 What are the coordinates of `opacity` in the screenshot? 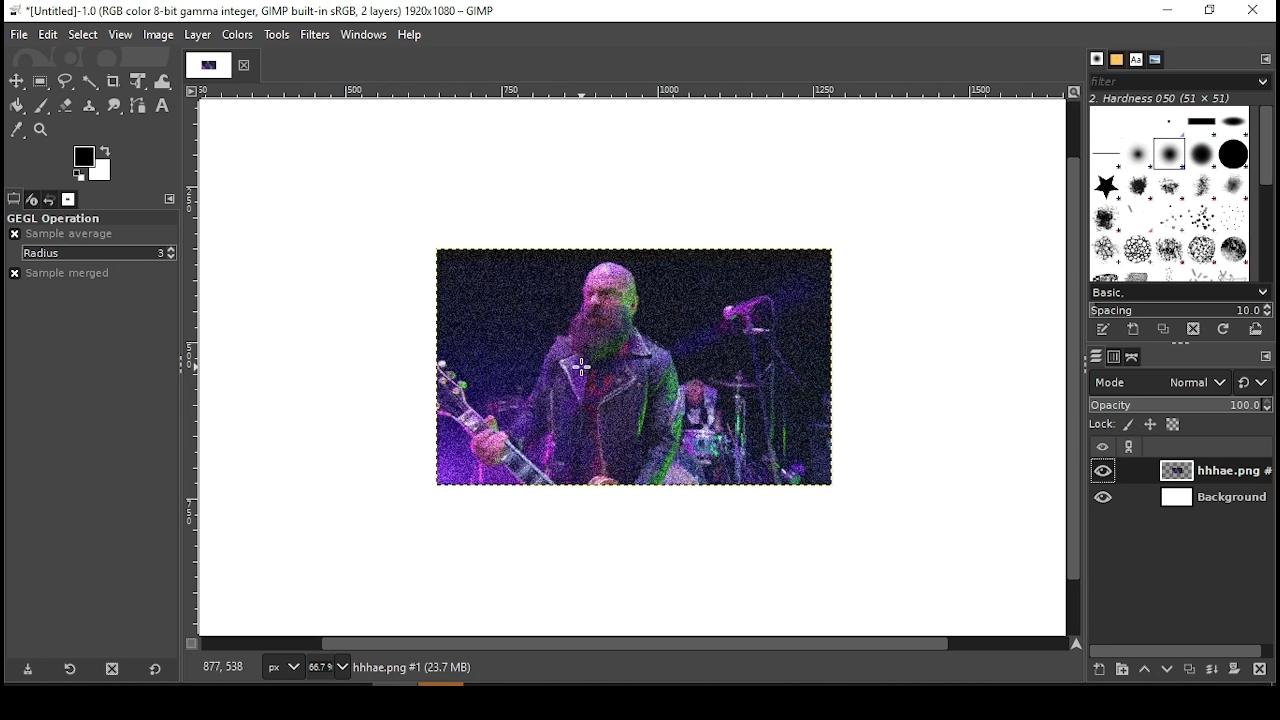 It's located at (1179, 405).